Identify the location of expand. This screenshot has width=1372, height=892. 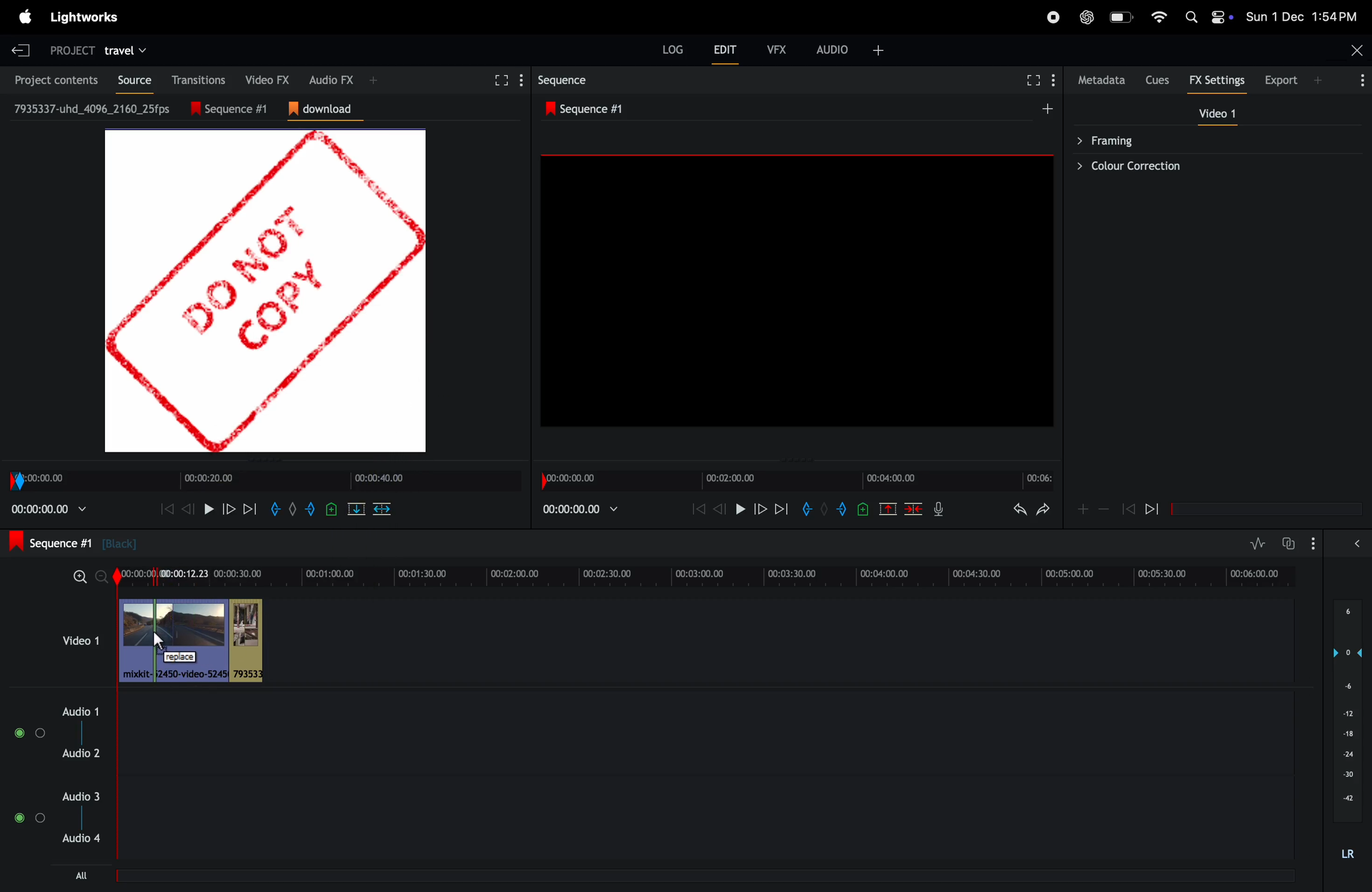
(1357, 543).